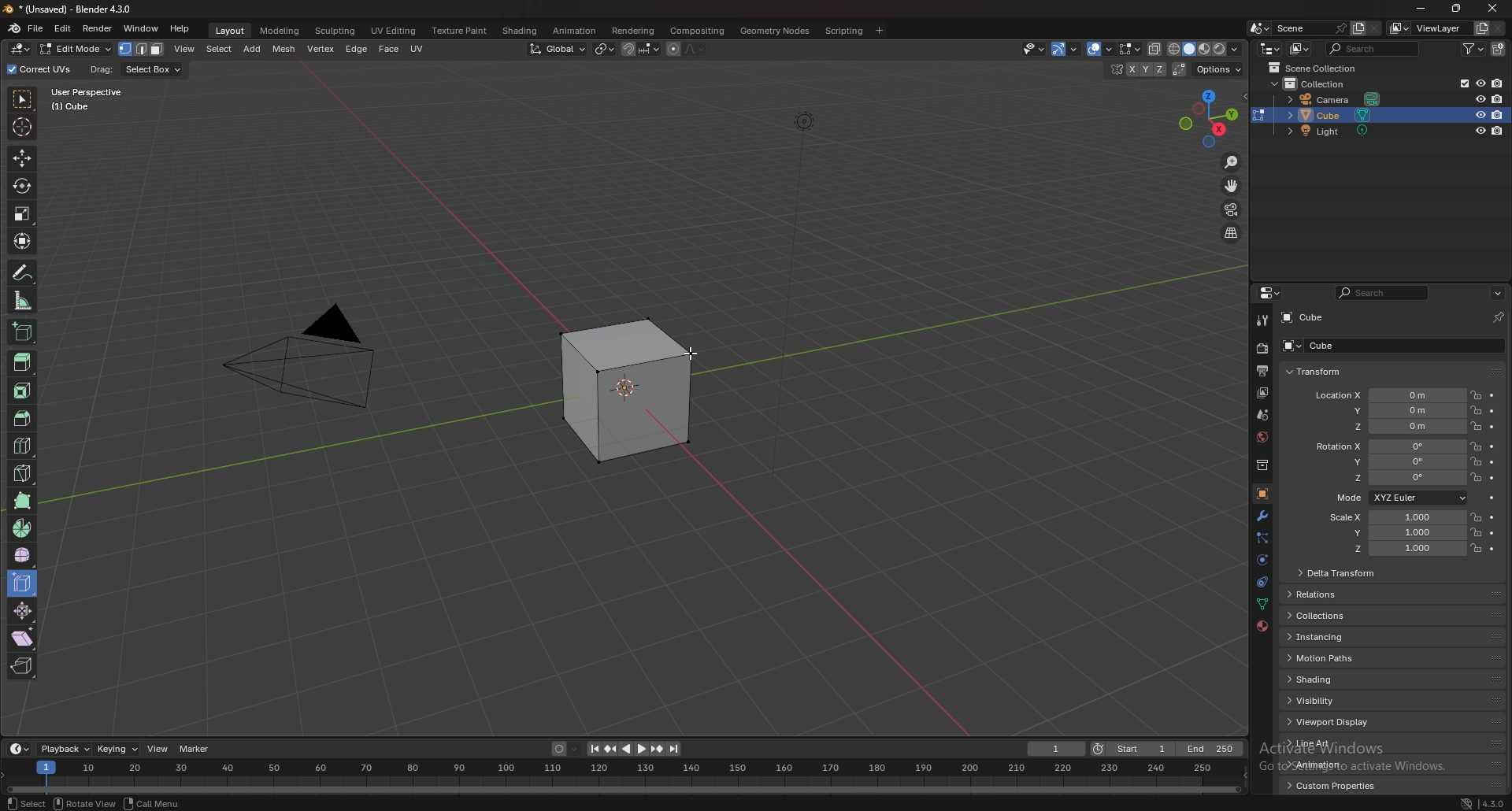 The height and width of the screenshot is (811, 1512). I want to click on disable in render, so click(1497, 98).